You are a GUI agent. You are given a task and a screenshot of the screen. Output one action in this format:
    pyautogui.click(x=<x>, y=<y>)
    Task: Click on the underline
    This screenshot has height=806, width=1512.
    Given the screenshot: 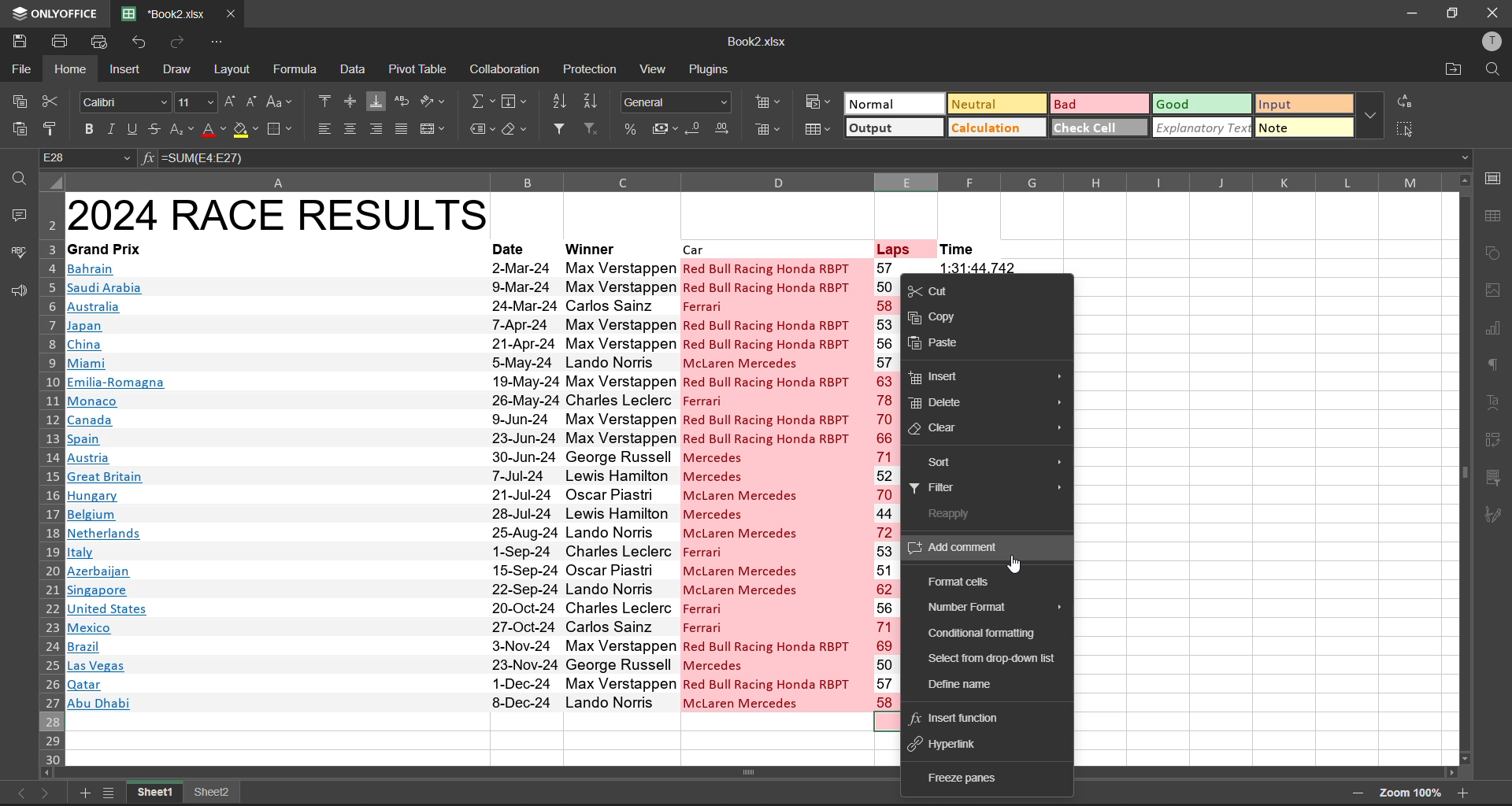 What is the action you would take?
    pyautogui.click(x=133, y=128)
    